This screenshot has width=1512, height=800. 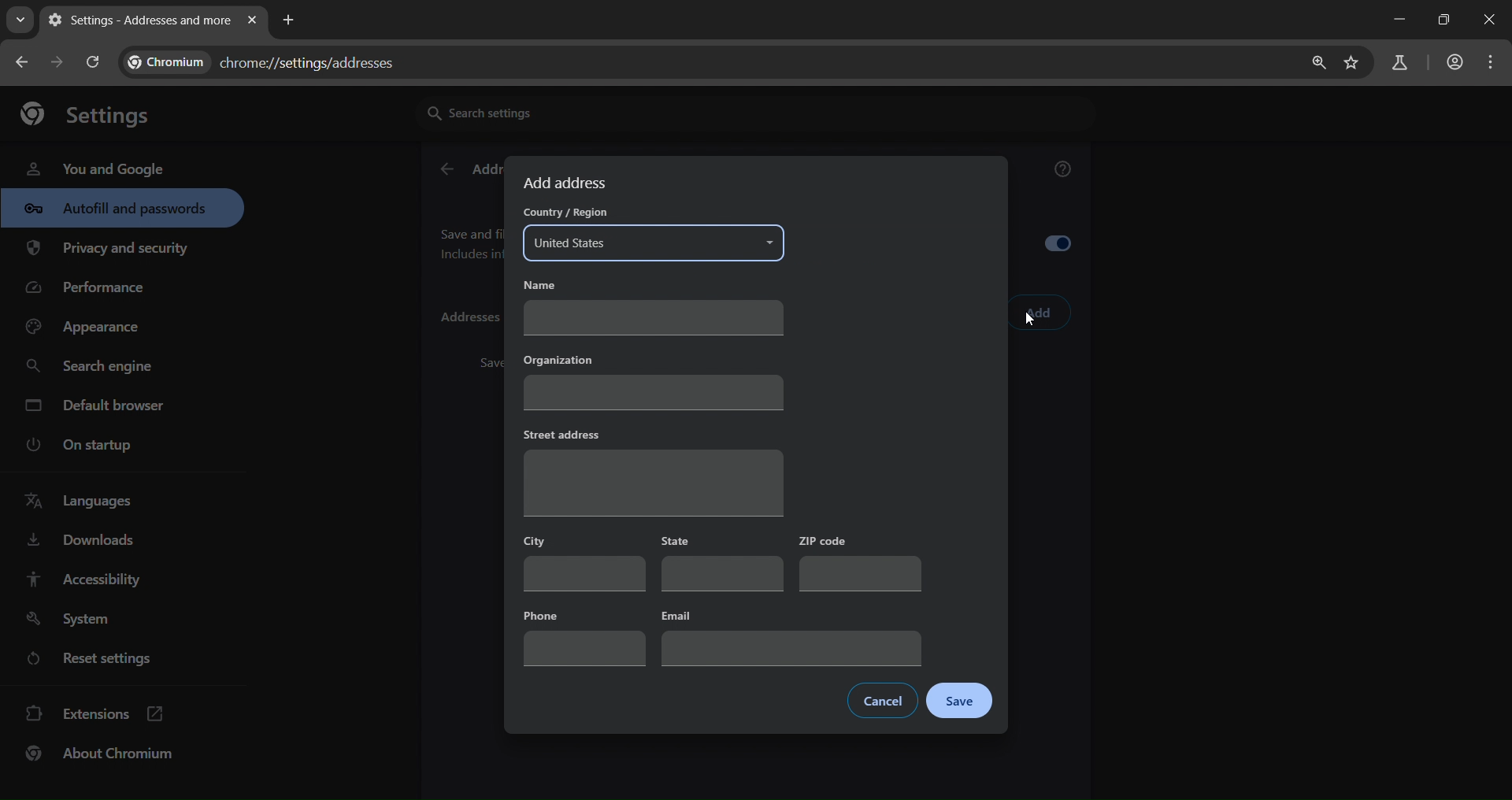 What do you see at coordinates (82, 579) in the screenshot?
I see `accessibility` at bounding box center [82, 579].